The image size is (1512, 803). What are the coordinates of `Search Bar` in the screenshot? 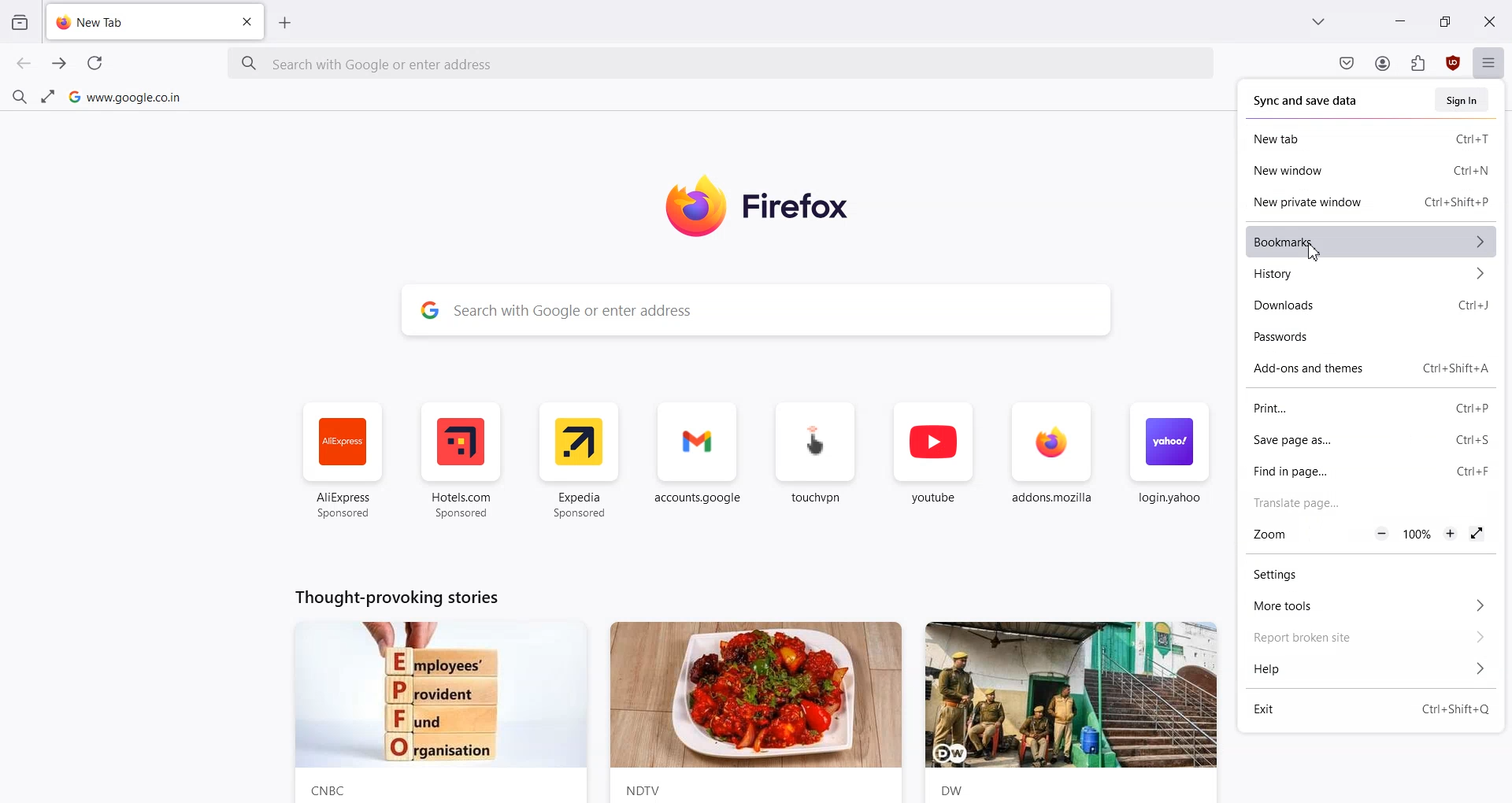 It's located at (758, 309).